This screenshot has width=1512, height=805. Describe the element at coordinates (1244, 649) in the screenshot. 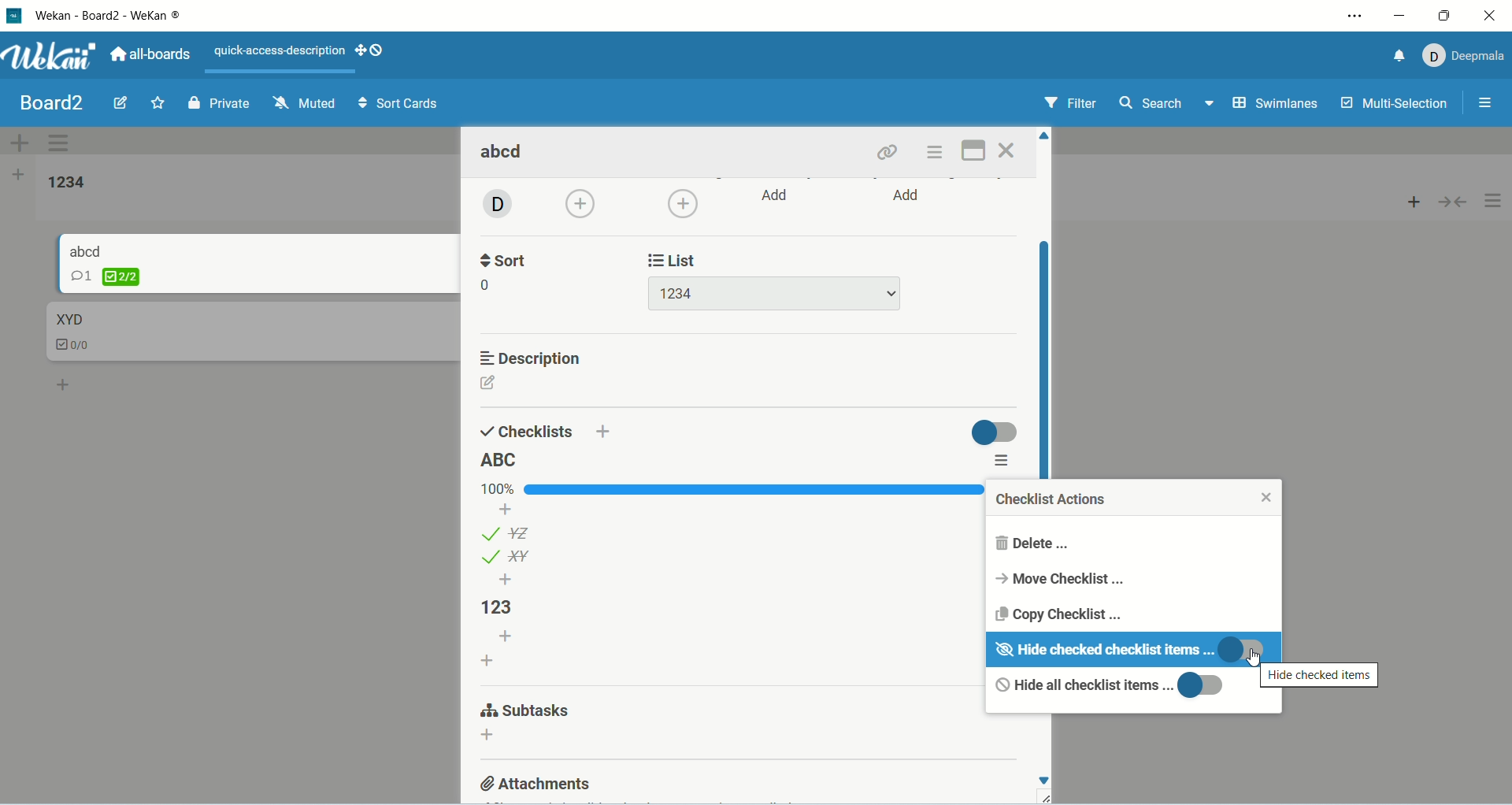

I see `toggle button` at that location.